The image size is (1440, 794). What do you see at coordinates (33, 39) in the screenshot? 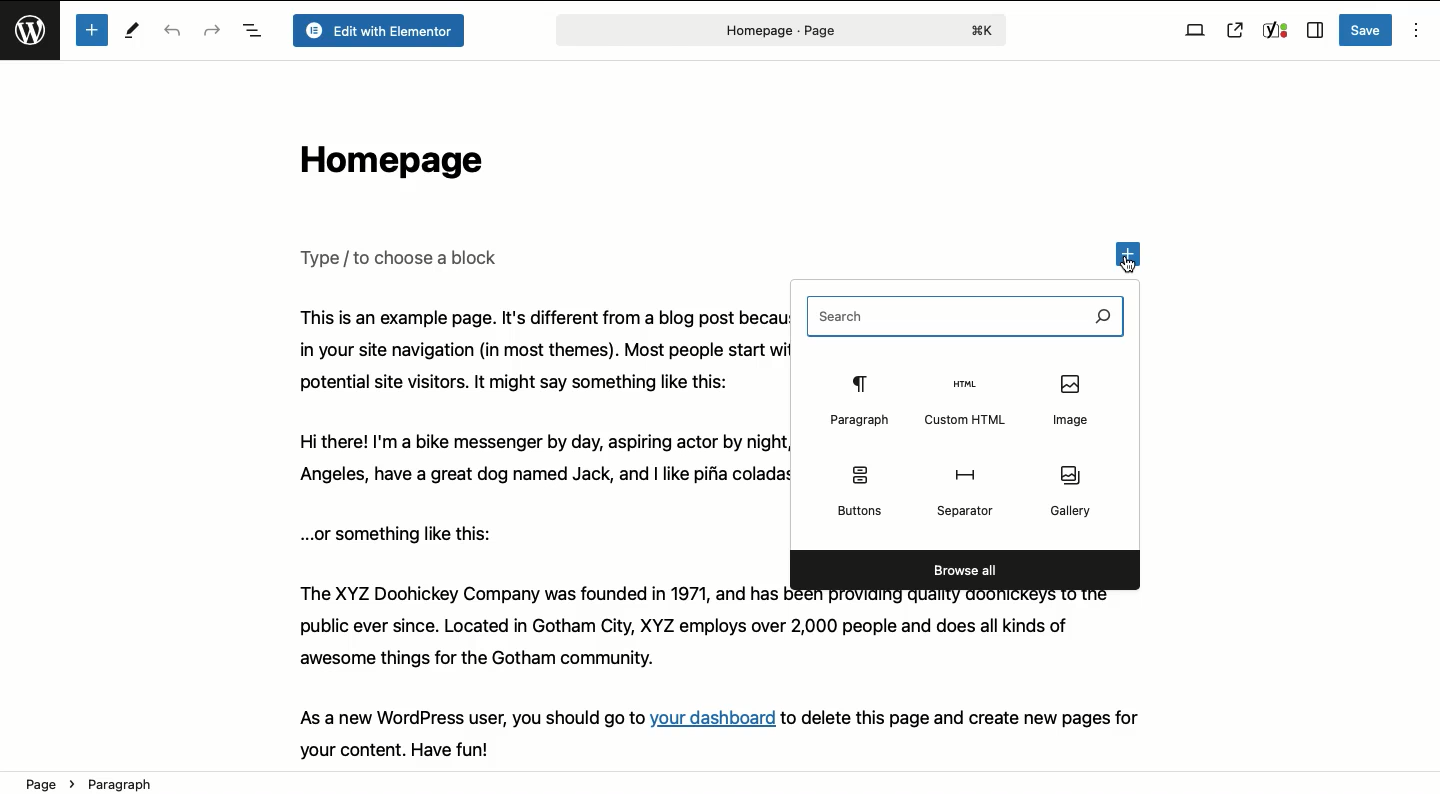
I see `Wordpress logo` at bounding box center [33, 39].